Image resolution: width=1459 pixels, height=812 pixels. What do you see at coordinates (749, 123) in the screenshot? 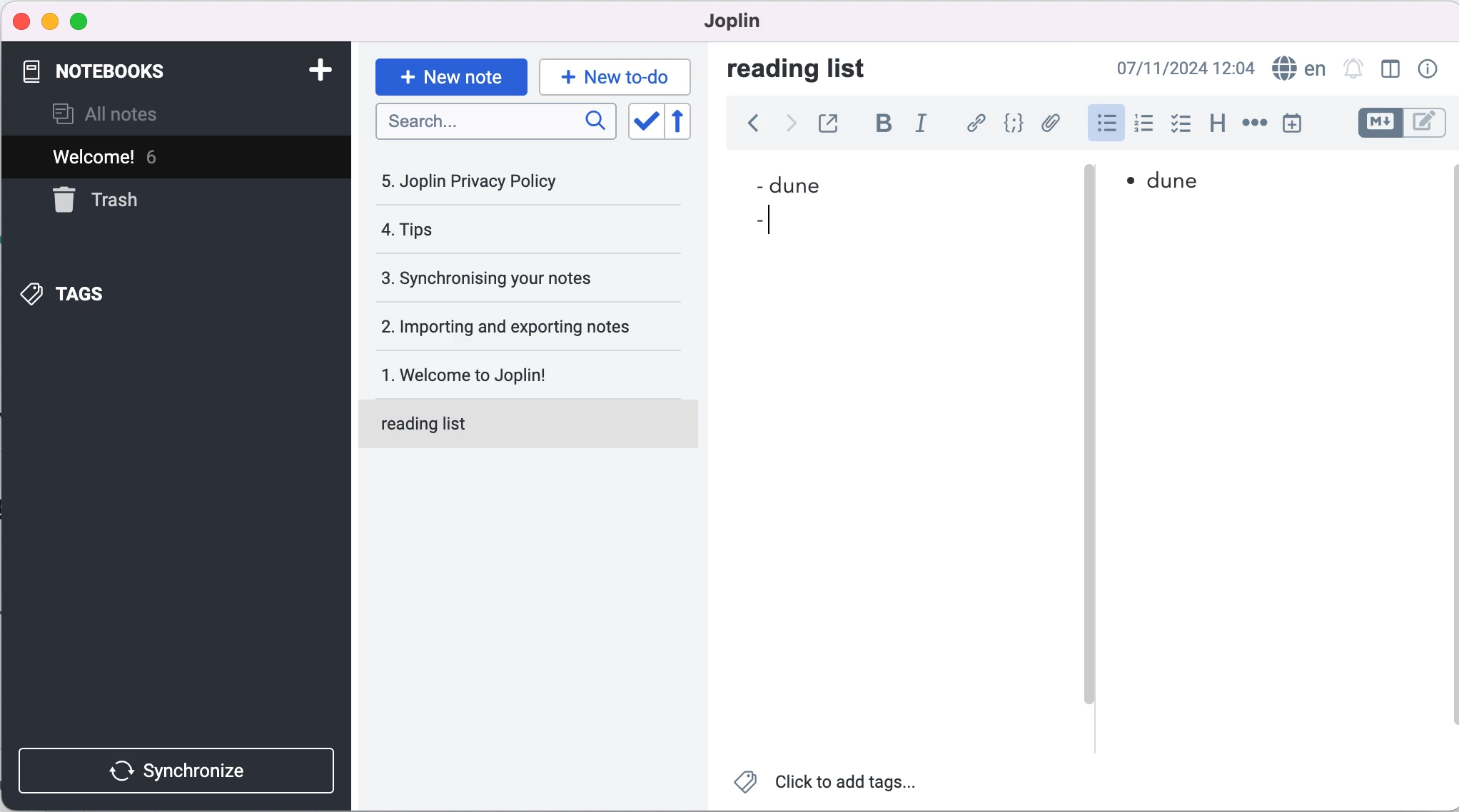
I see `back` at bounding box center [749, 123].